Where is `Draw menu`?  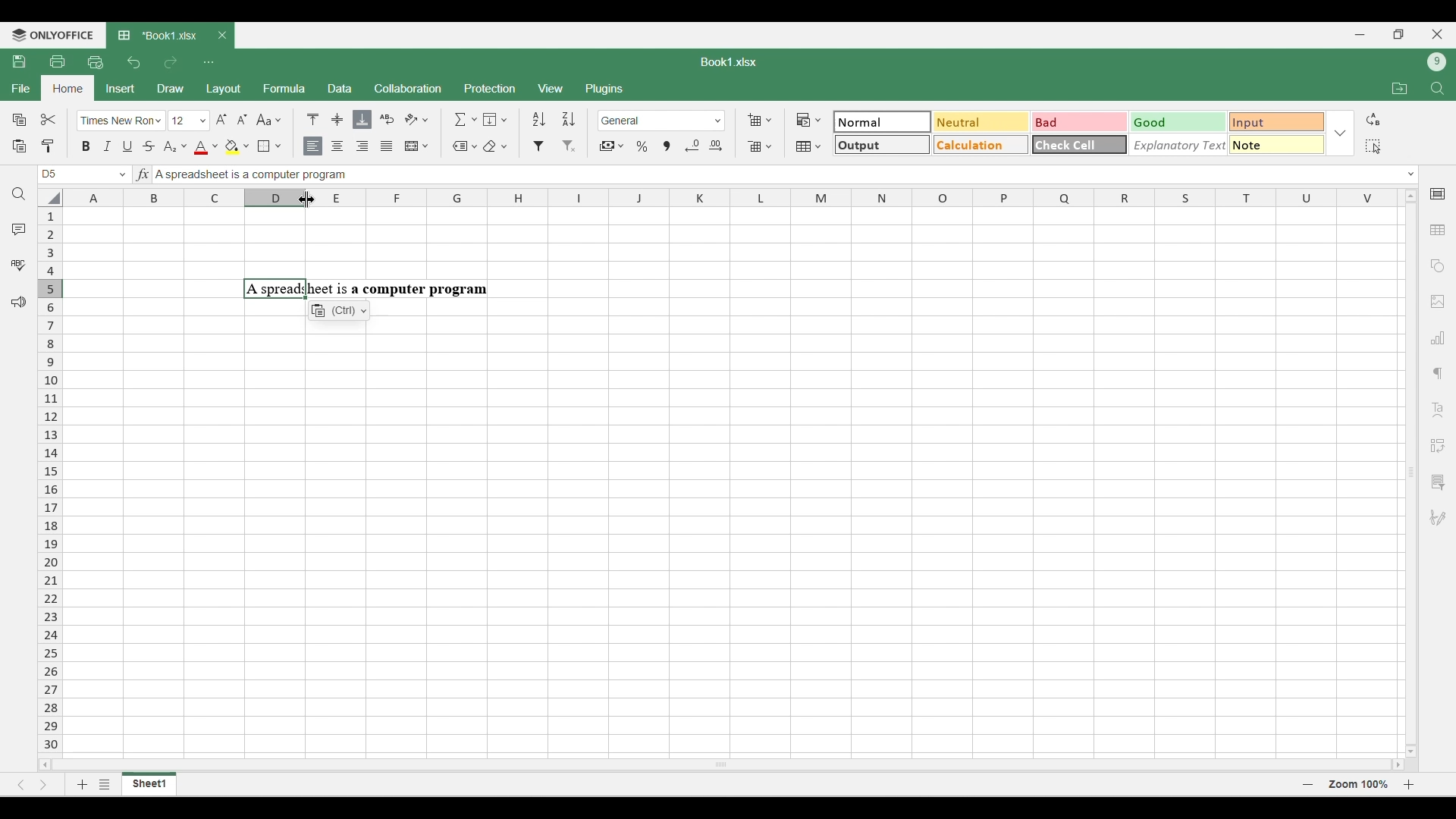
Draw menu is located at coordinates (171, 88).